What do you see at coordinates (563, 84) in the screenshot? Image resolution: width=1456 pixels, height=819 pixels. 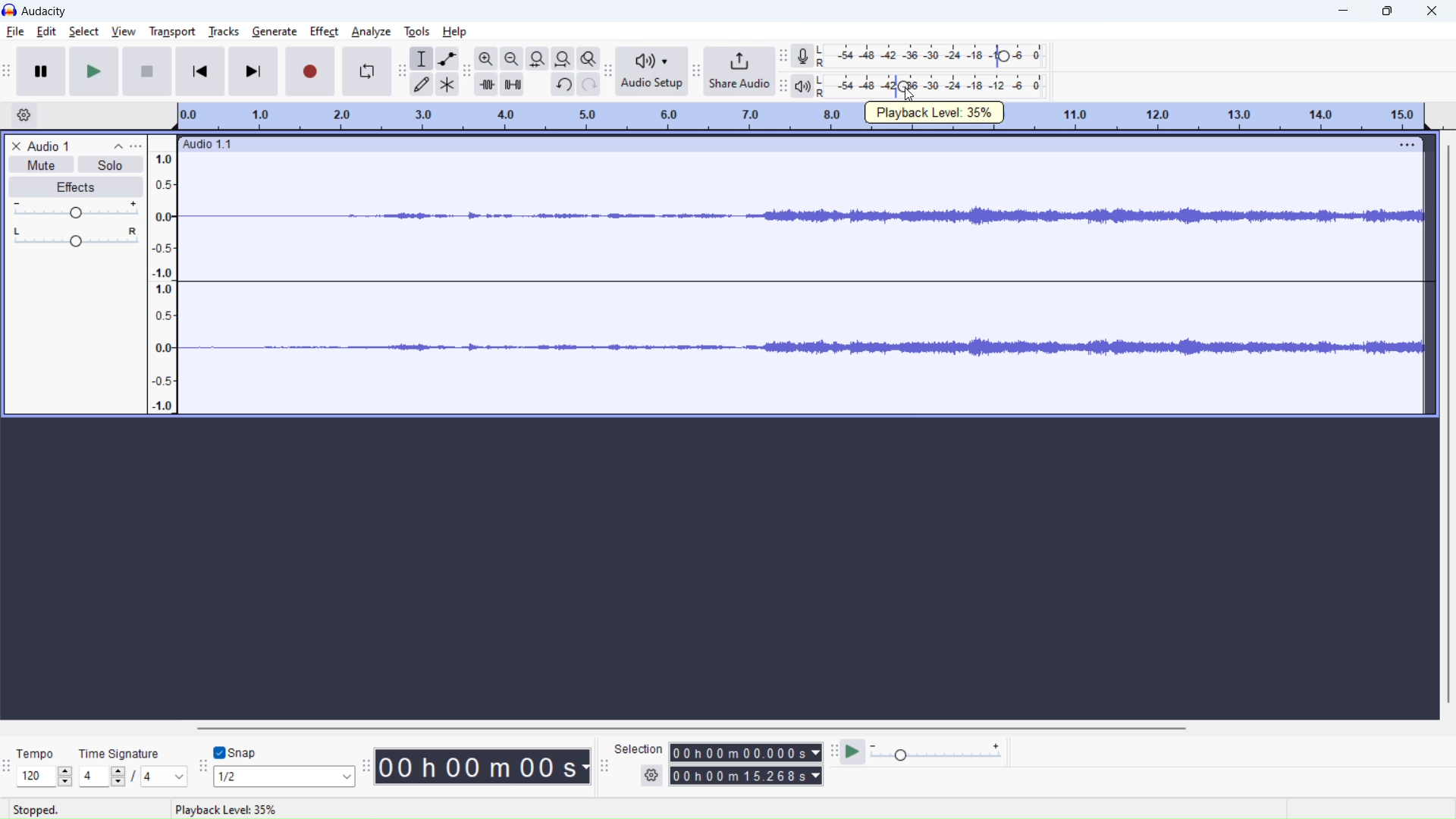 I see `undo` at bounding box center [563, 84].